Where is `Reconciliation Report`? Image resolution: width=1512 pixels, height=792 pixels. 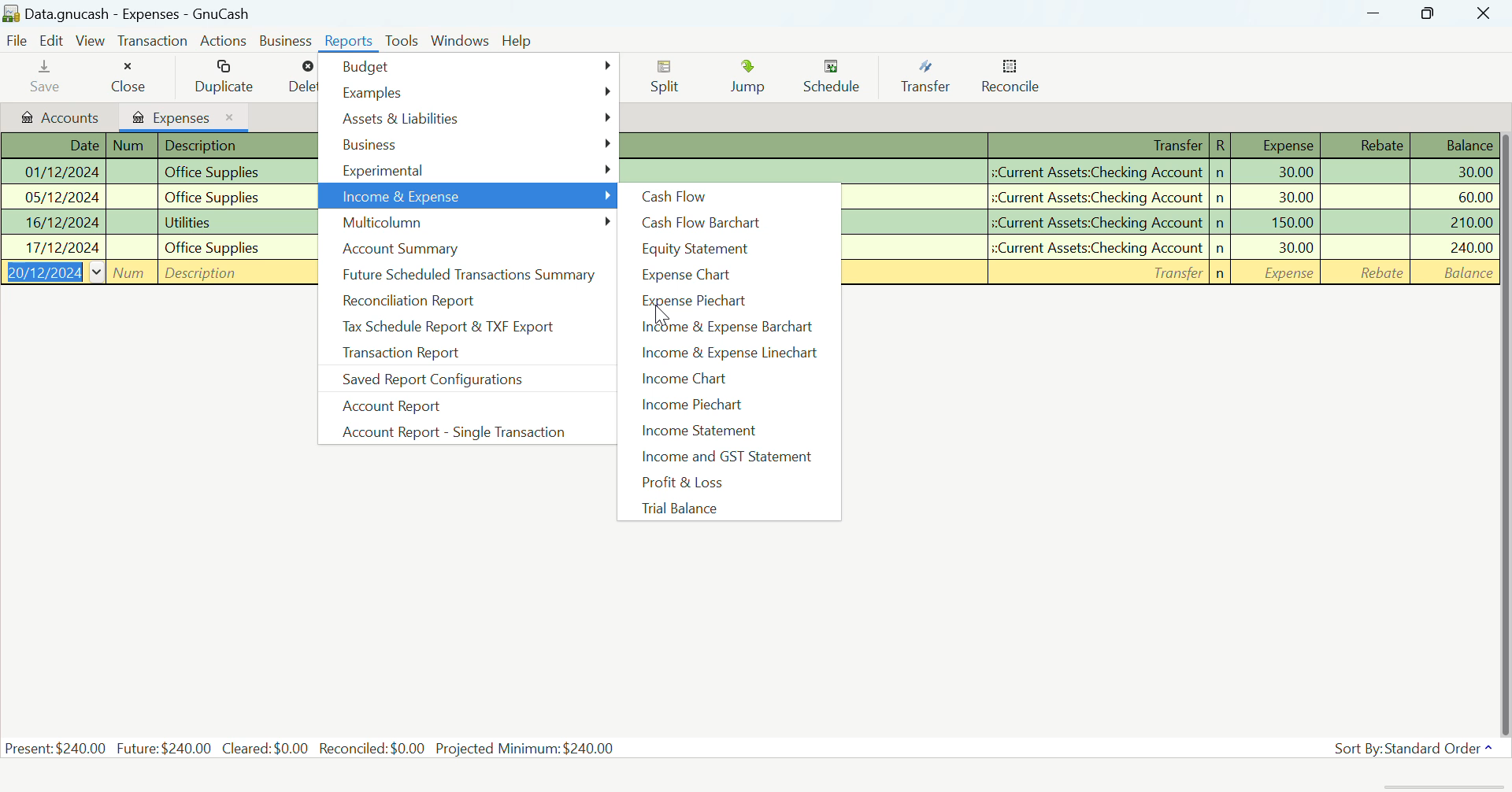
Reconciliation Report is located at coordinates (459, 298).